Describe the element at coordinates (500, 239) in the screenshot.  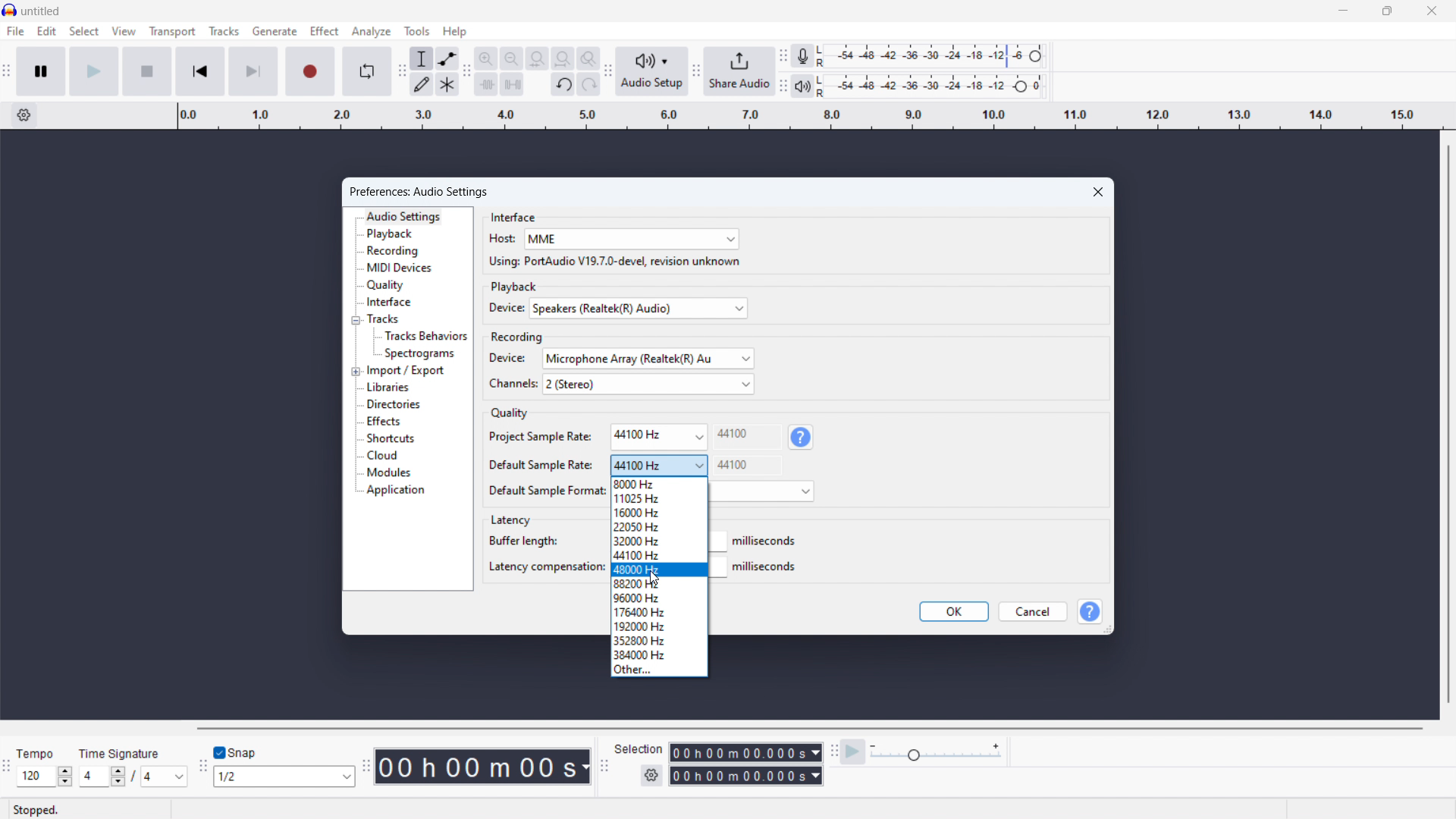
I see `host` at that location.